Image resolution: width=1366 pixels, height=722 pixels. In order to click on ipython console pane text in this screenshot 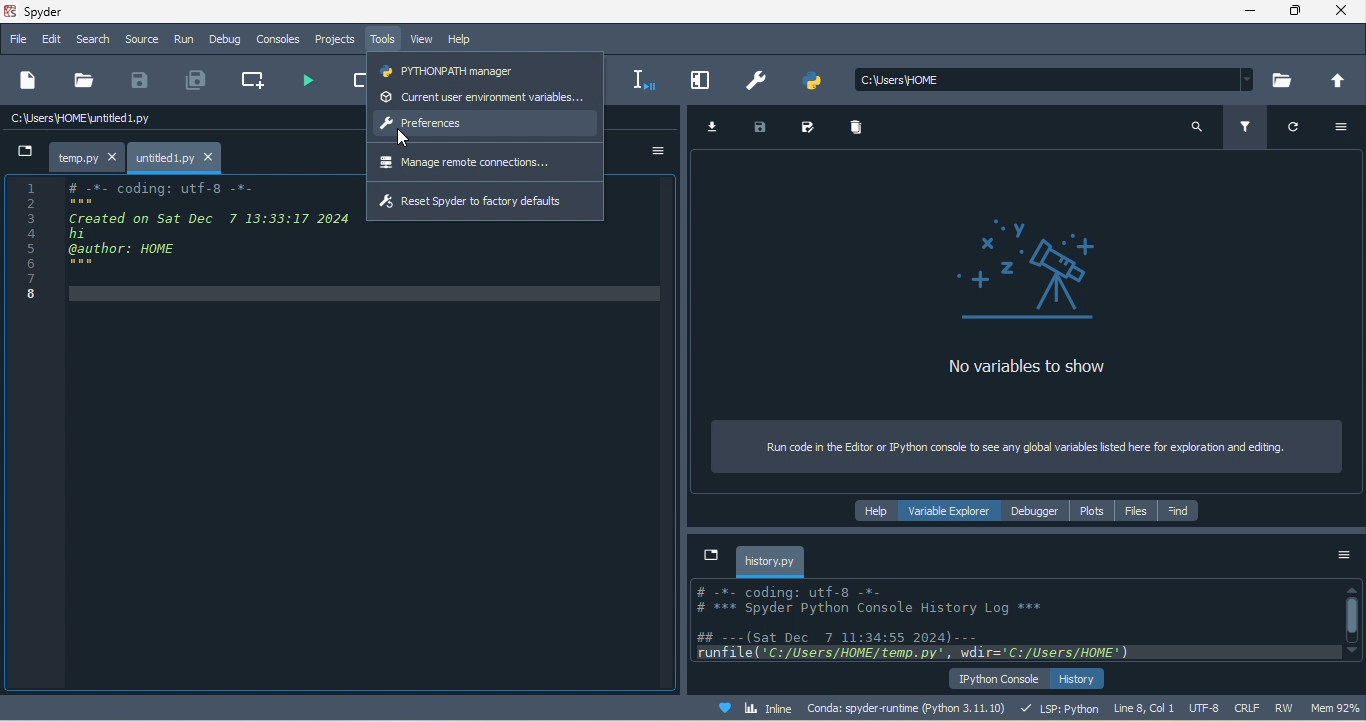, I will do `click(1010, 619)`.